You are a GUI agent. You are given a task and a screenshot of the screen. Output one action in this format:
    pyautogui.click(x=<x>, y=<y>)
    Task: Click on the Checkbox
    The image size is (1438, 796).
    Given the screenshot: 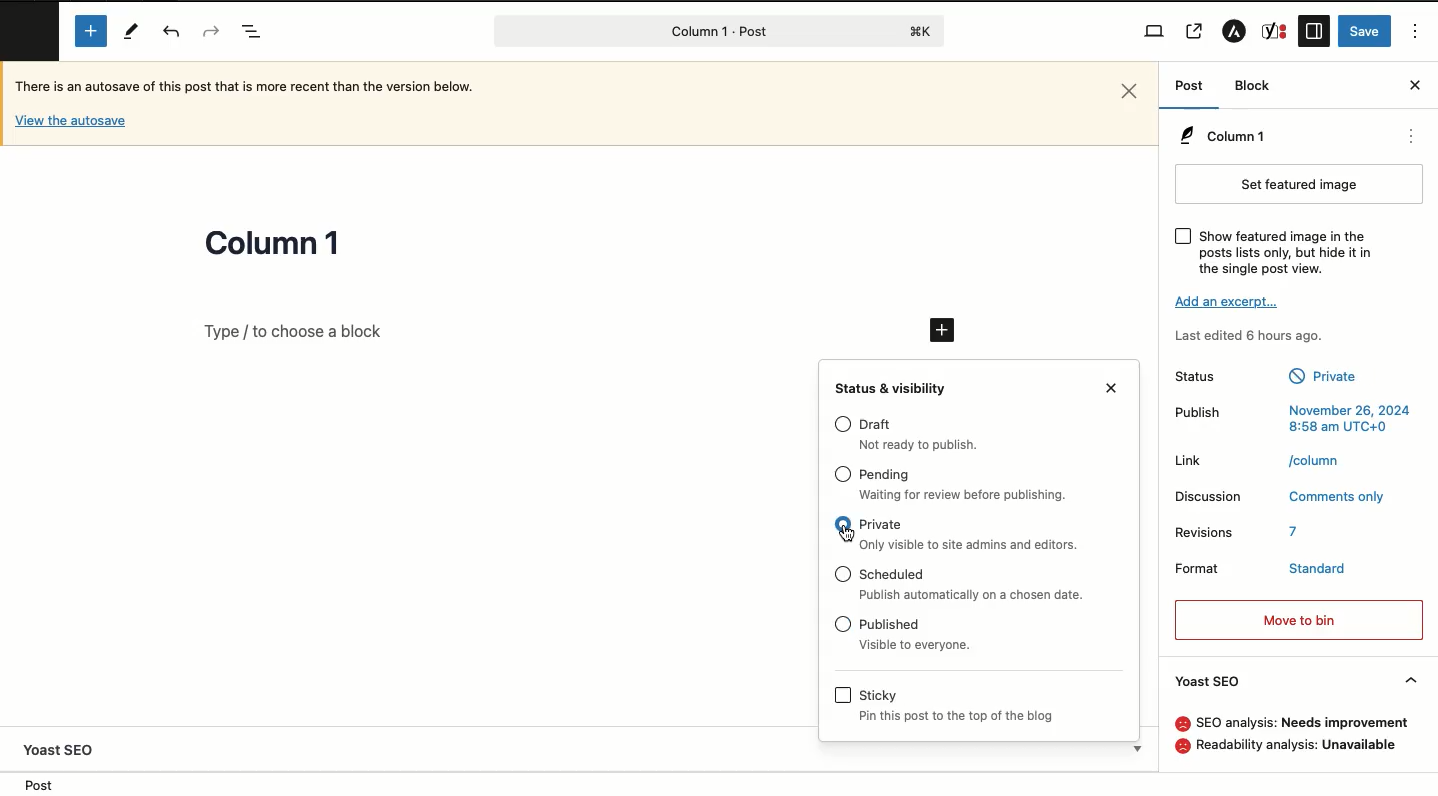 What is the action you would take?
    pyautogui.click(x=842, y=524)
    